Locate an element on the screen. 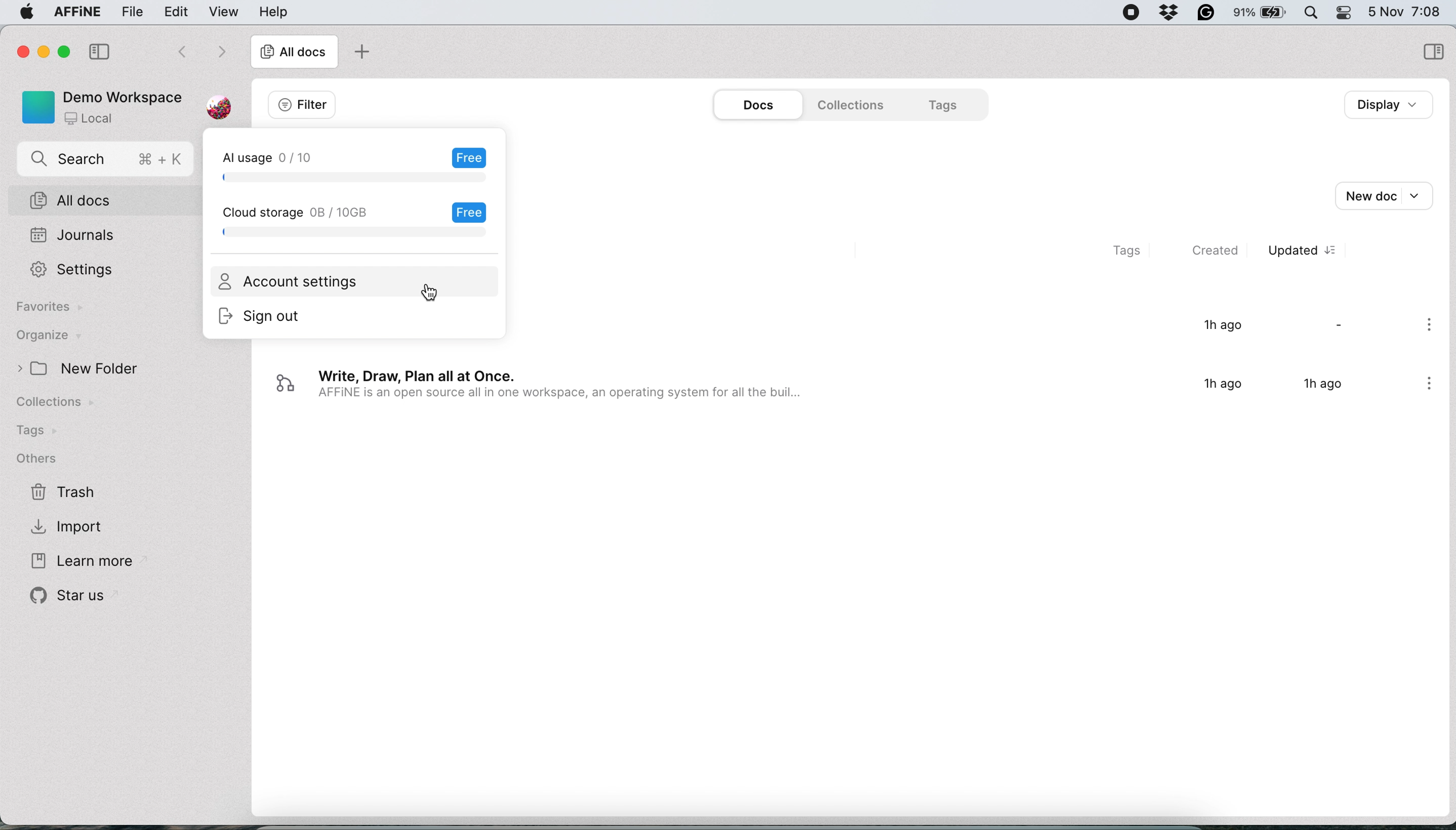  star us is located at coordinates (66, 599).